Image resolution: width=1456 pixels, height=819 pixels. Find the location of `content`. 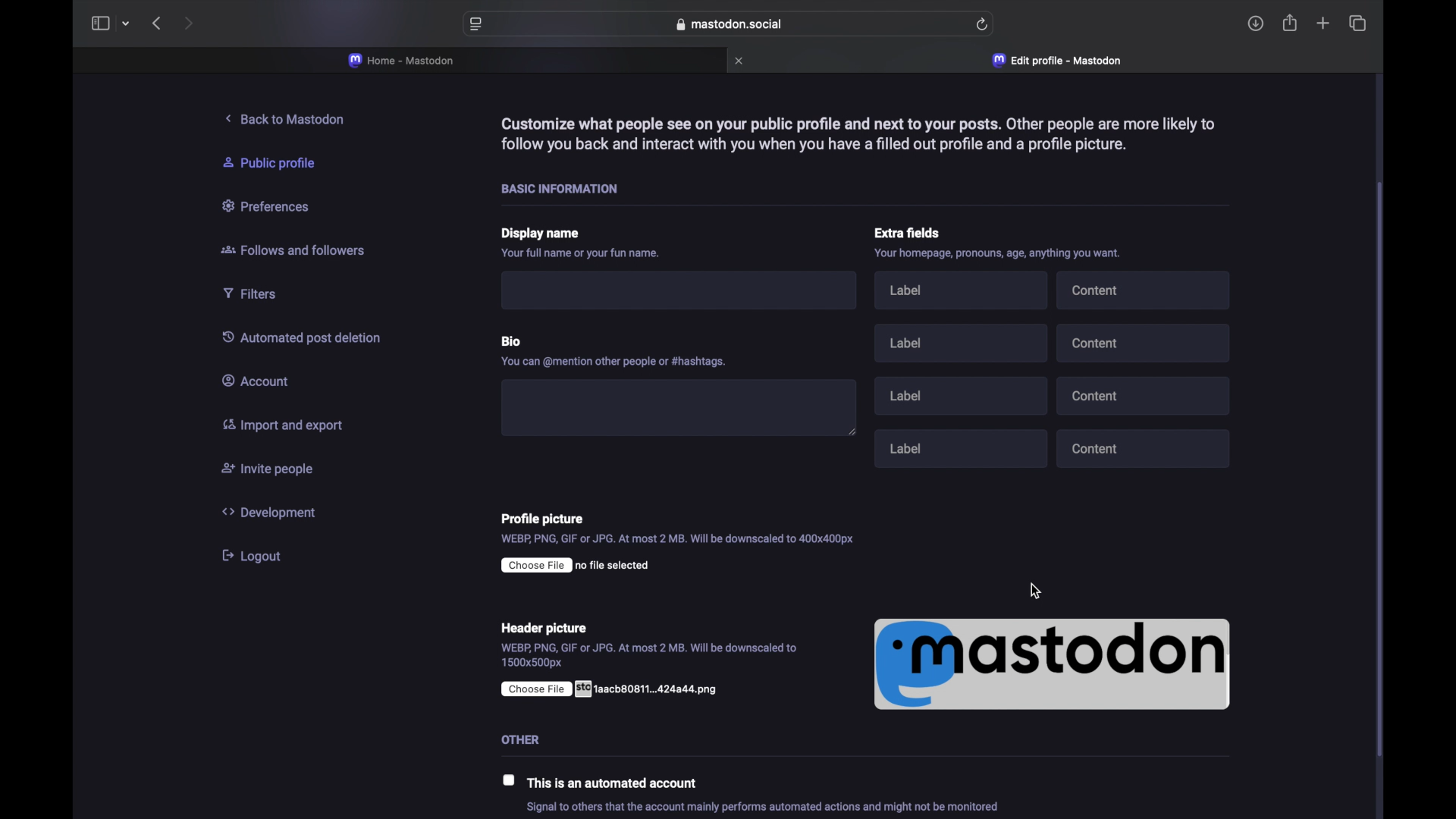

content is located at coordinates (1145, 289).